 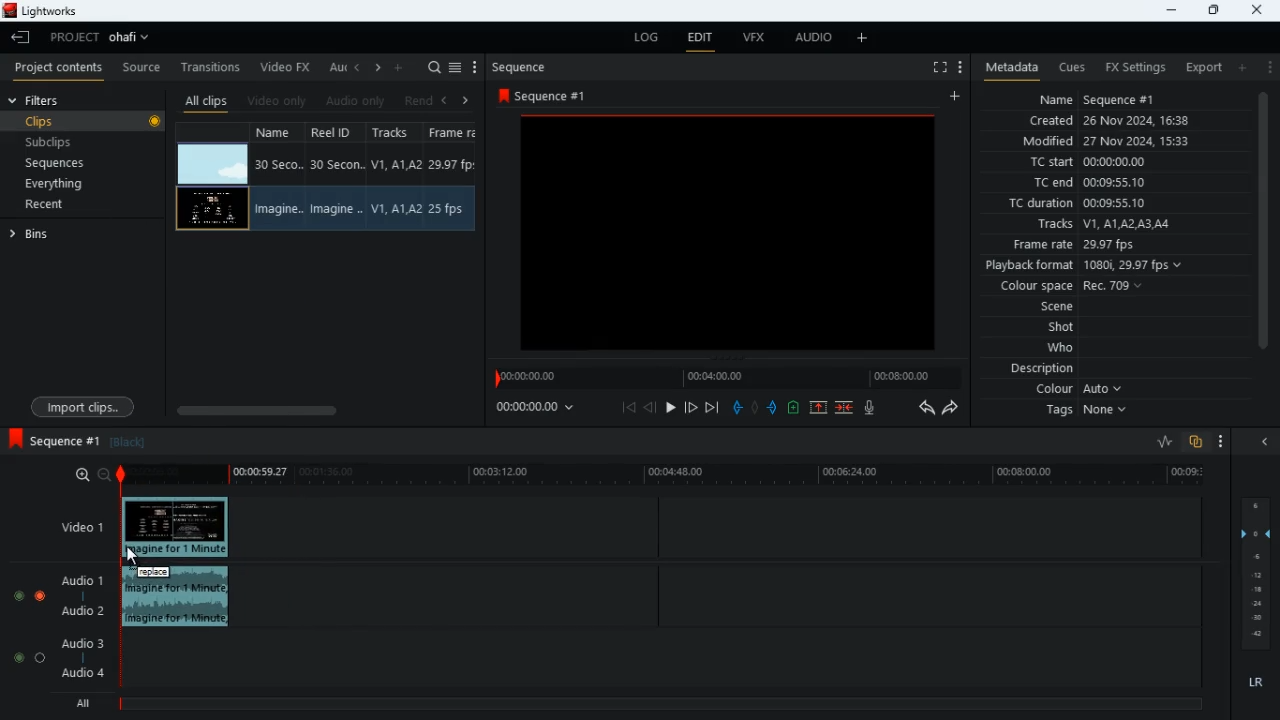 What do you see at coordinates (475, 67) in the screenshot?
I see `more` at bounding box center [475, 67].